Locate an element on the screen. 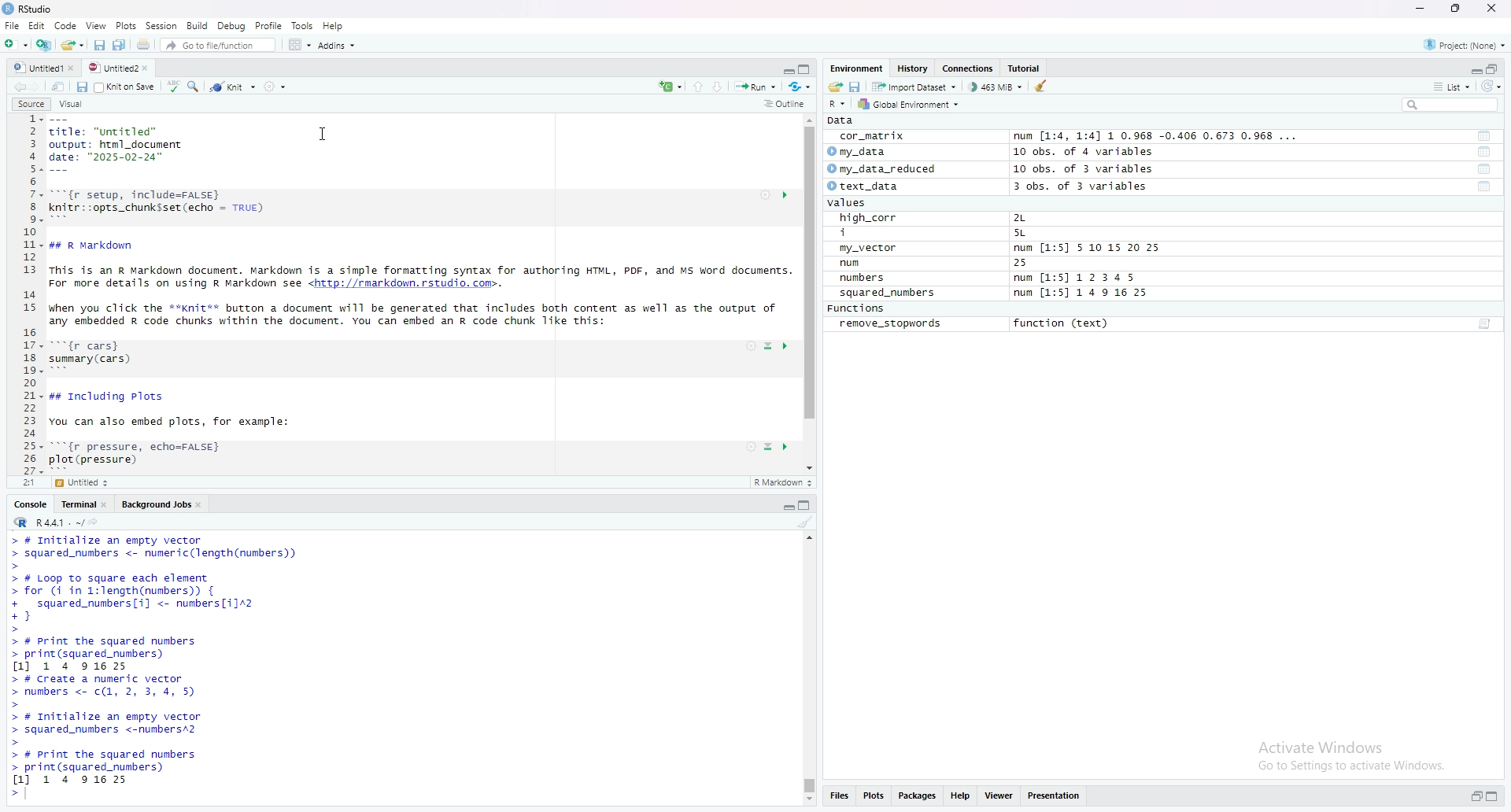  show in new window is located at coordinates (64, 87).